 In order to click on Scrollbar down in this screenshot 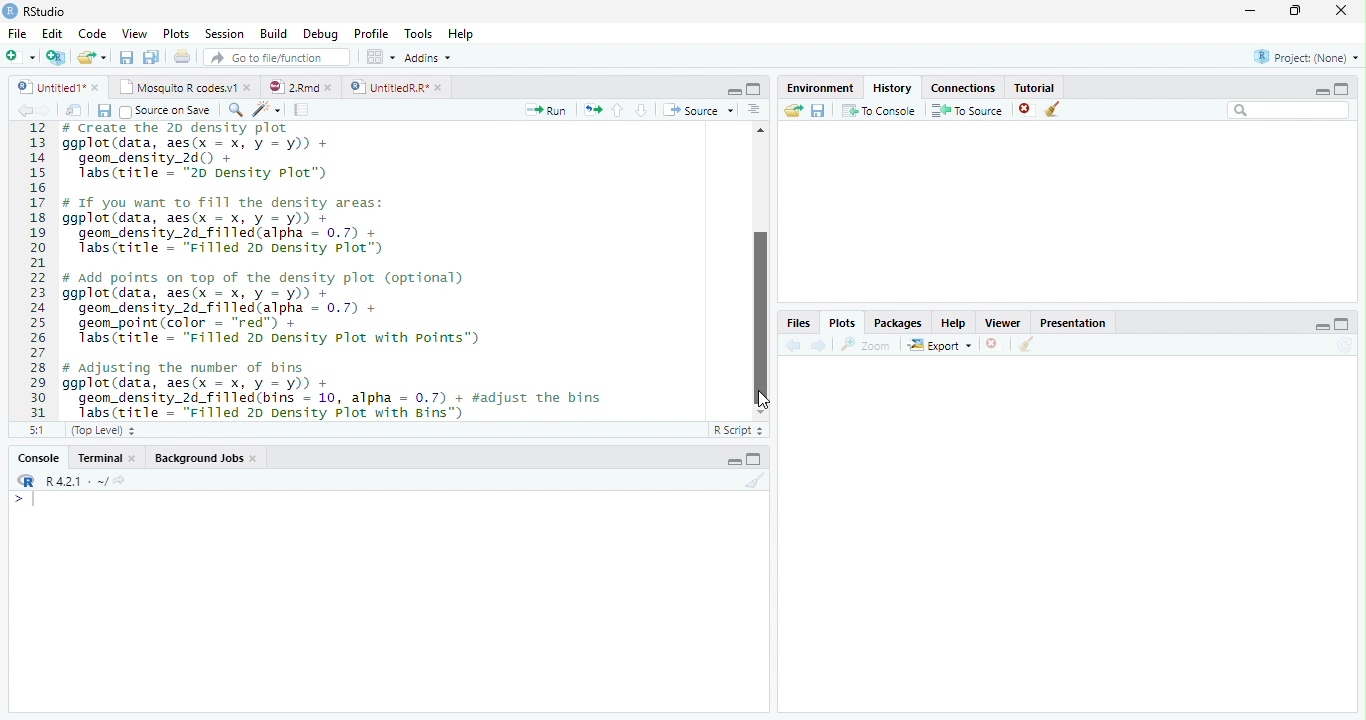, I will do `click(760, 412)`.